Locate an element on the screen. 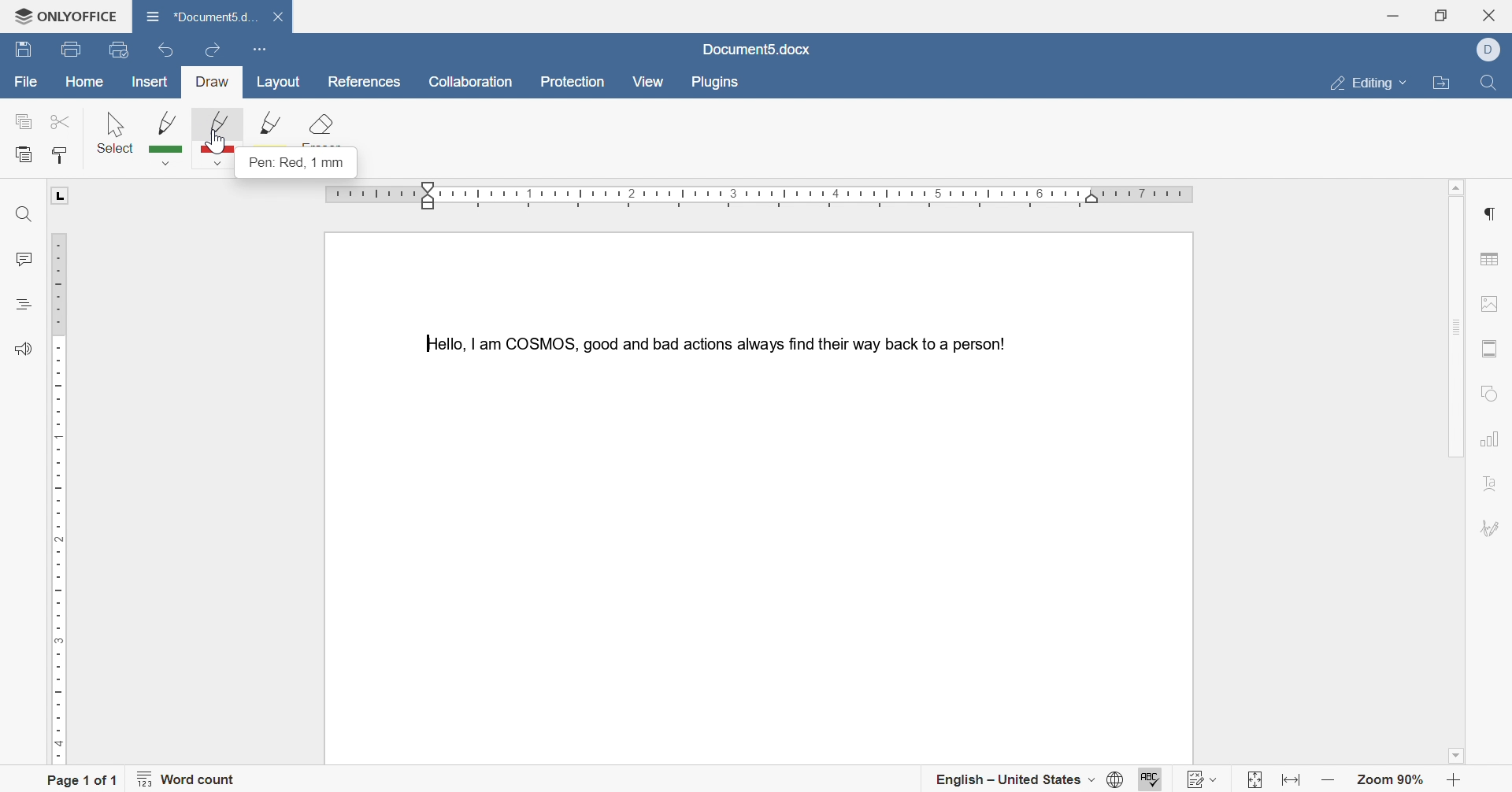  editing is located at coordinates (1369, 81).